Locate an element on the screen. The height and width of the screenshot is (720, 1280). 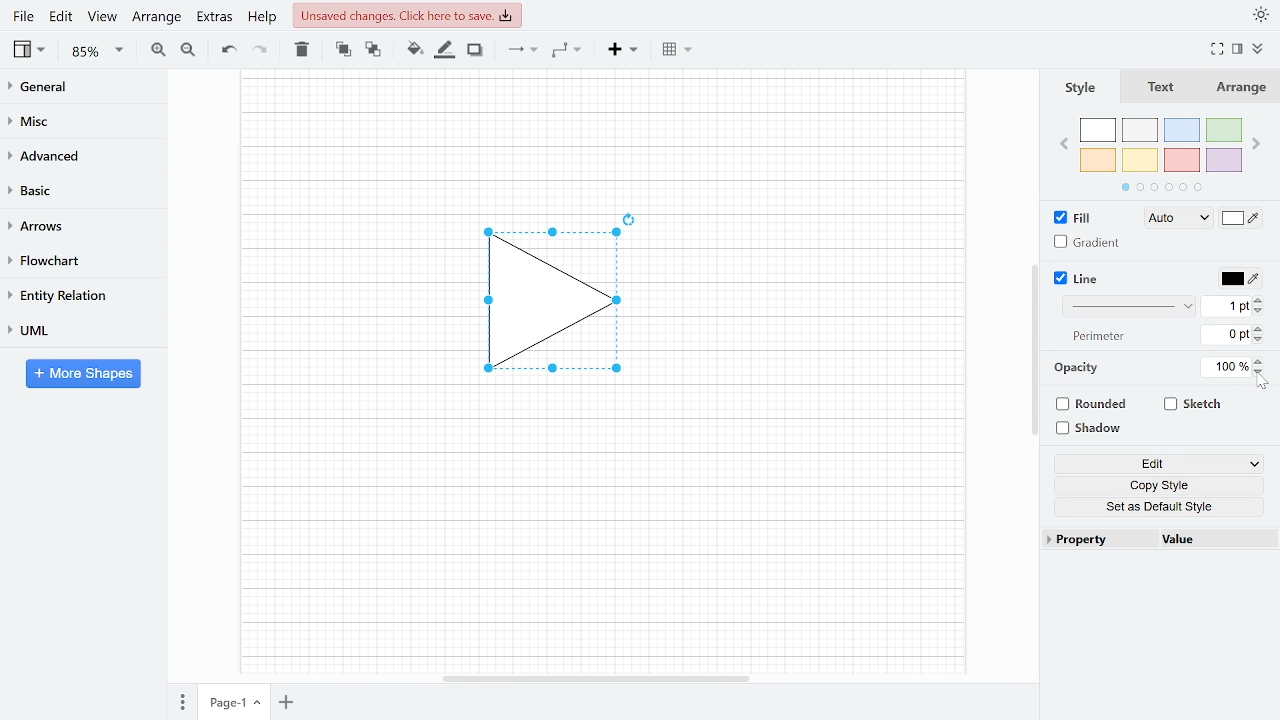
Current line width is located at coordinates (1227, 305).